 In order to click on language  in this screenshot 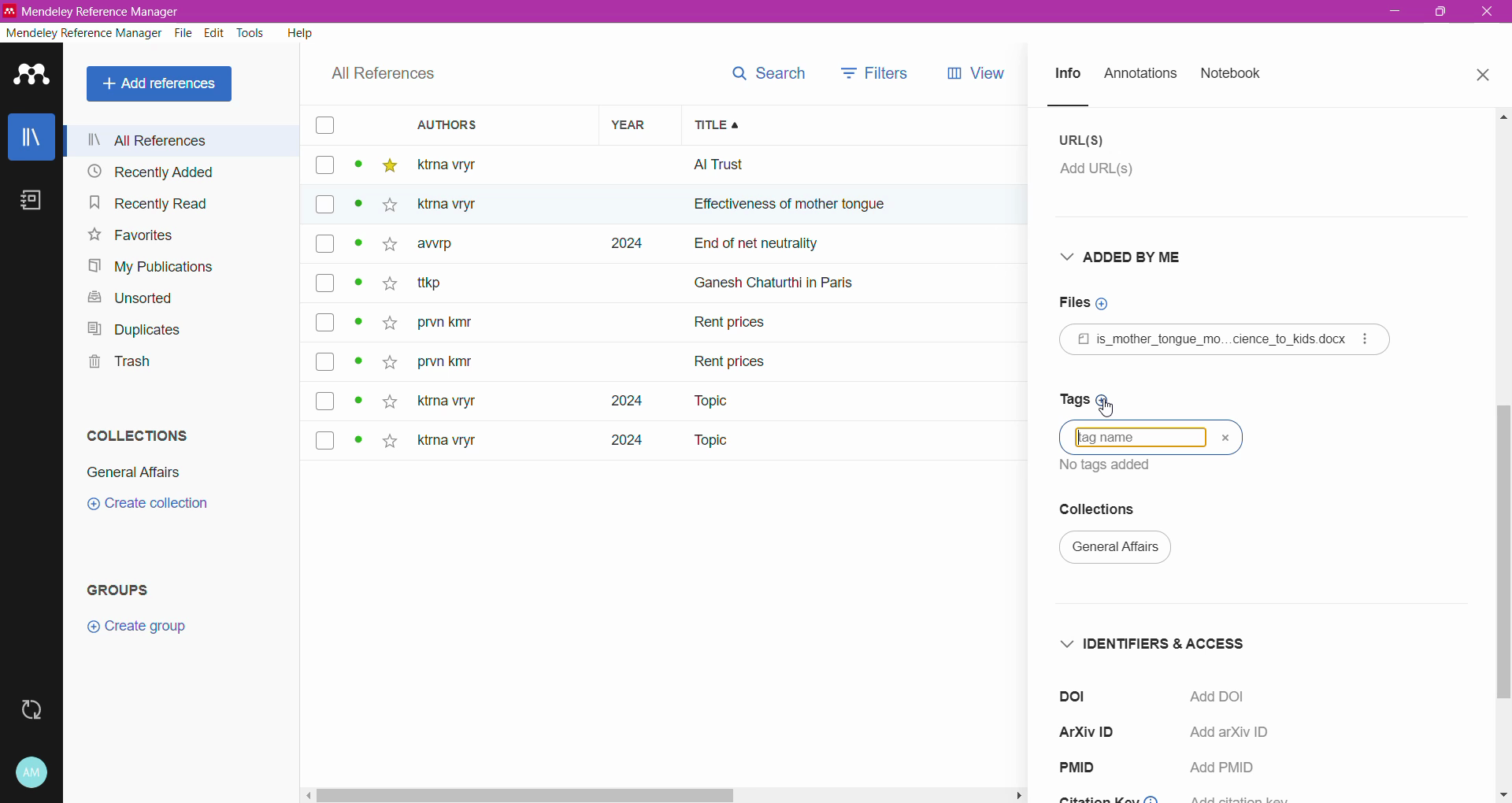, I will do `click(1154, 436)`.